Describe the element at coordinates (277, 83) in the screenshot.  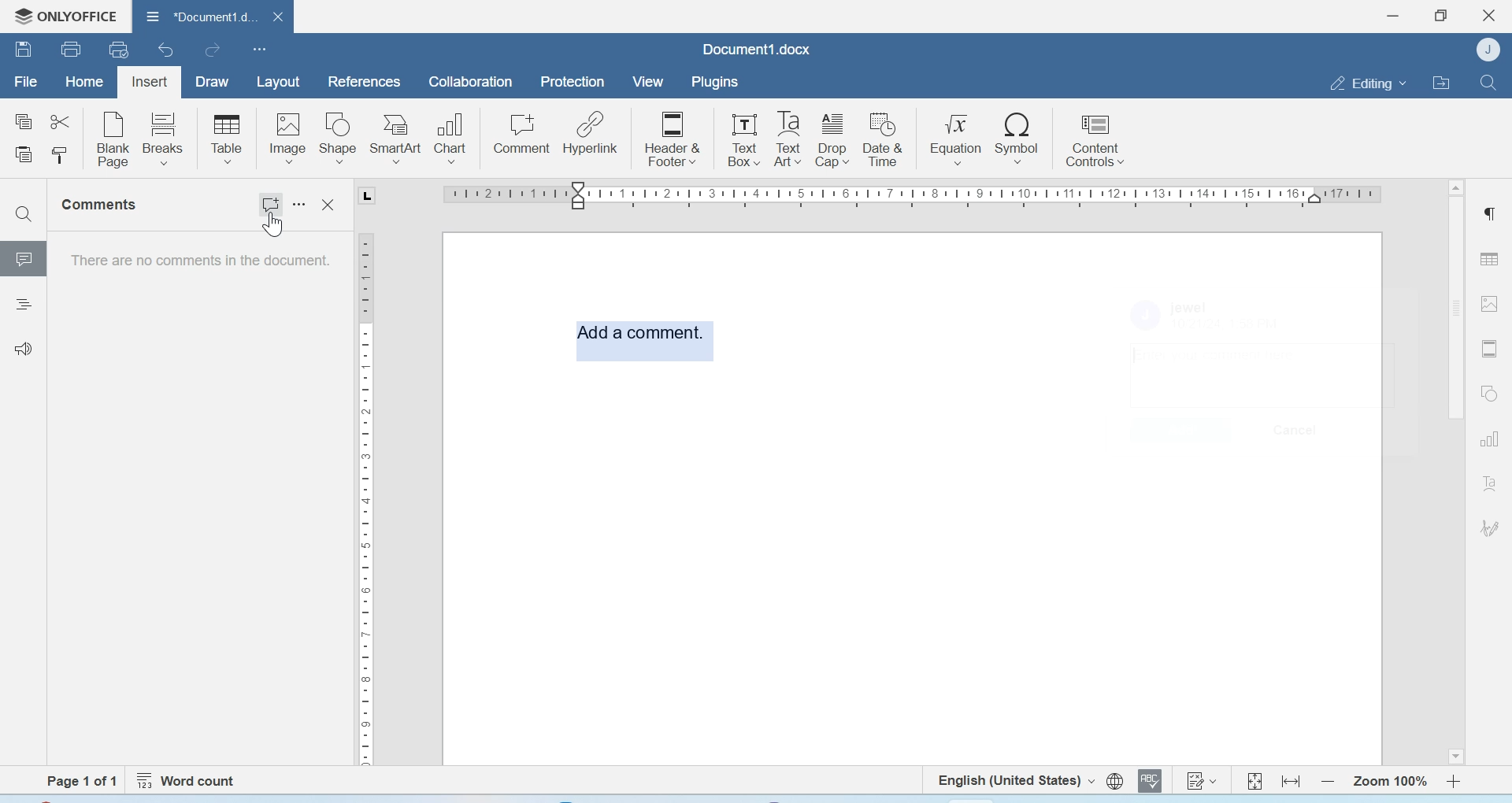
I see `Layout` at that location.